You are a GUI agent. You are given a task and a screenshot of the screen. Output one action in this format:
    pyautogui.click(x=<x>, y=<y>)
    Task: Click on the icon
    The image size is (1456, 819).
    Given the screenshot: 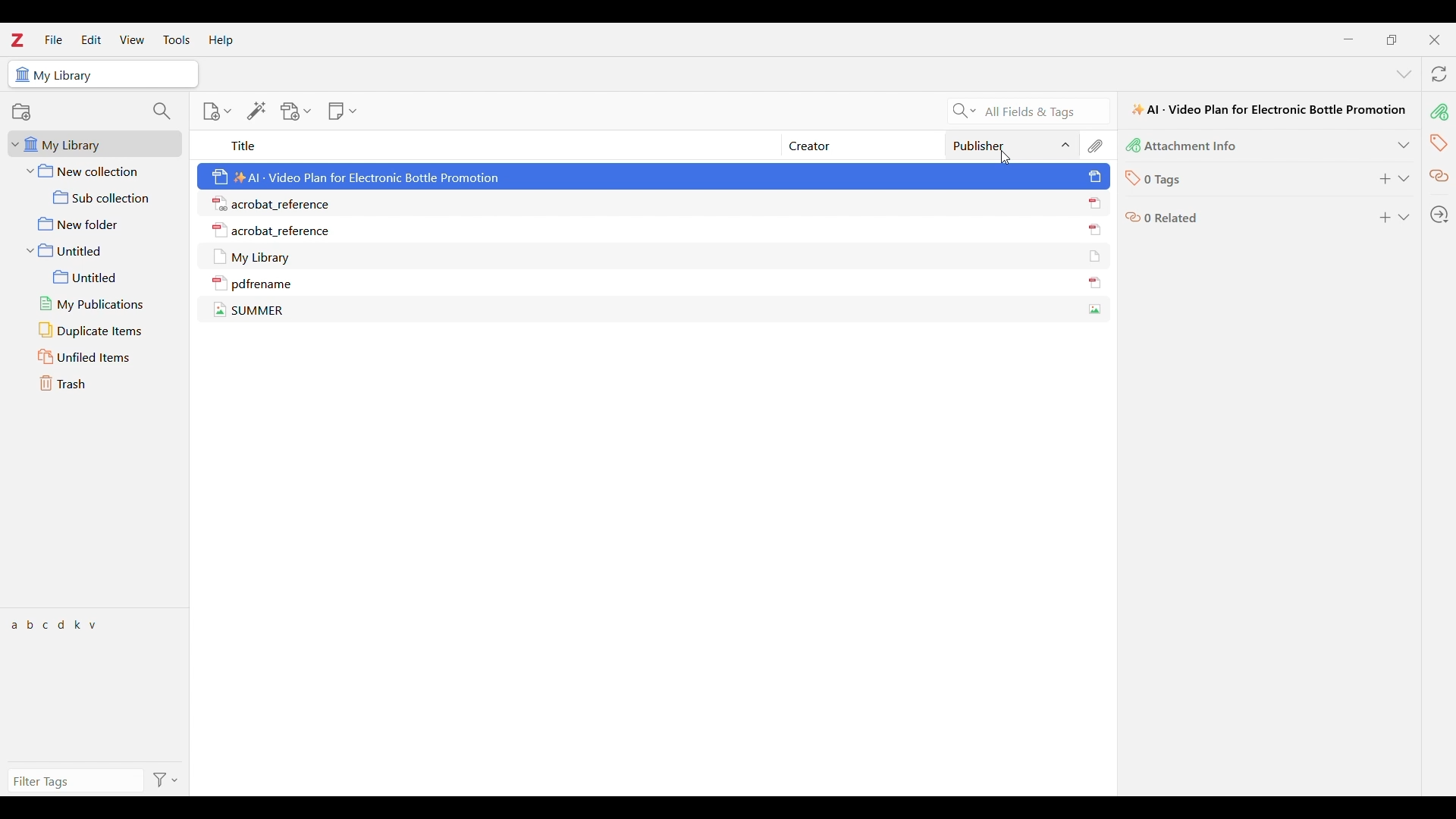 What is the action you would take?
    pyautogui.click(x=1094, y=203)
    